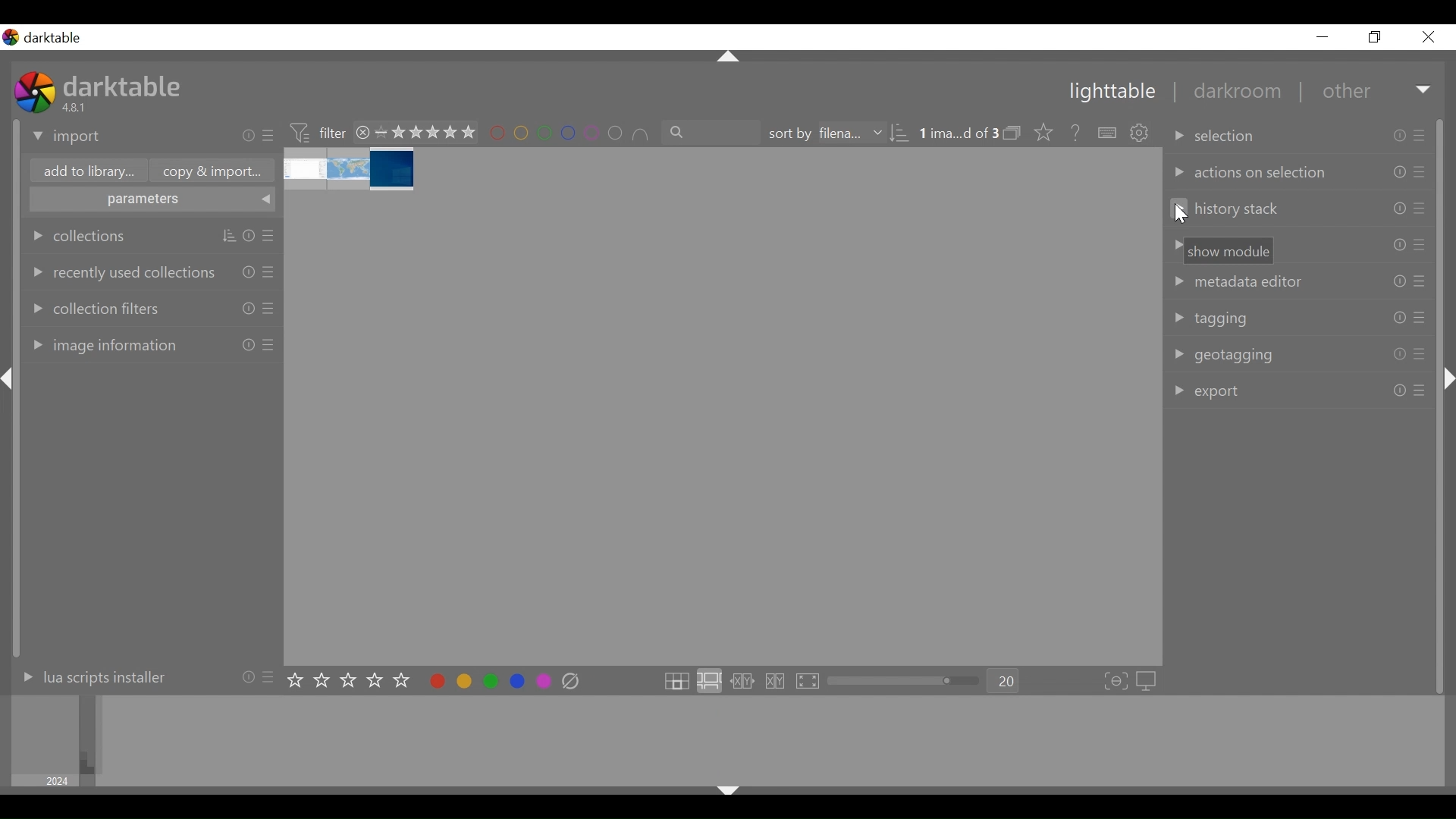  Describe the element at coordinates (712, 133) in the screenshot. I see `filter by text` at that location.